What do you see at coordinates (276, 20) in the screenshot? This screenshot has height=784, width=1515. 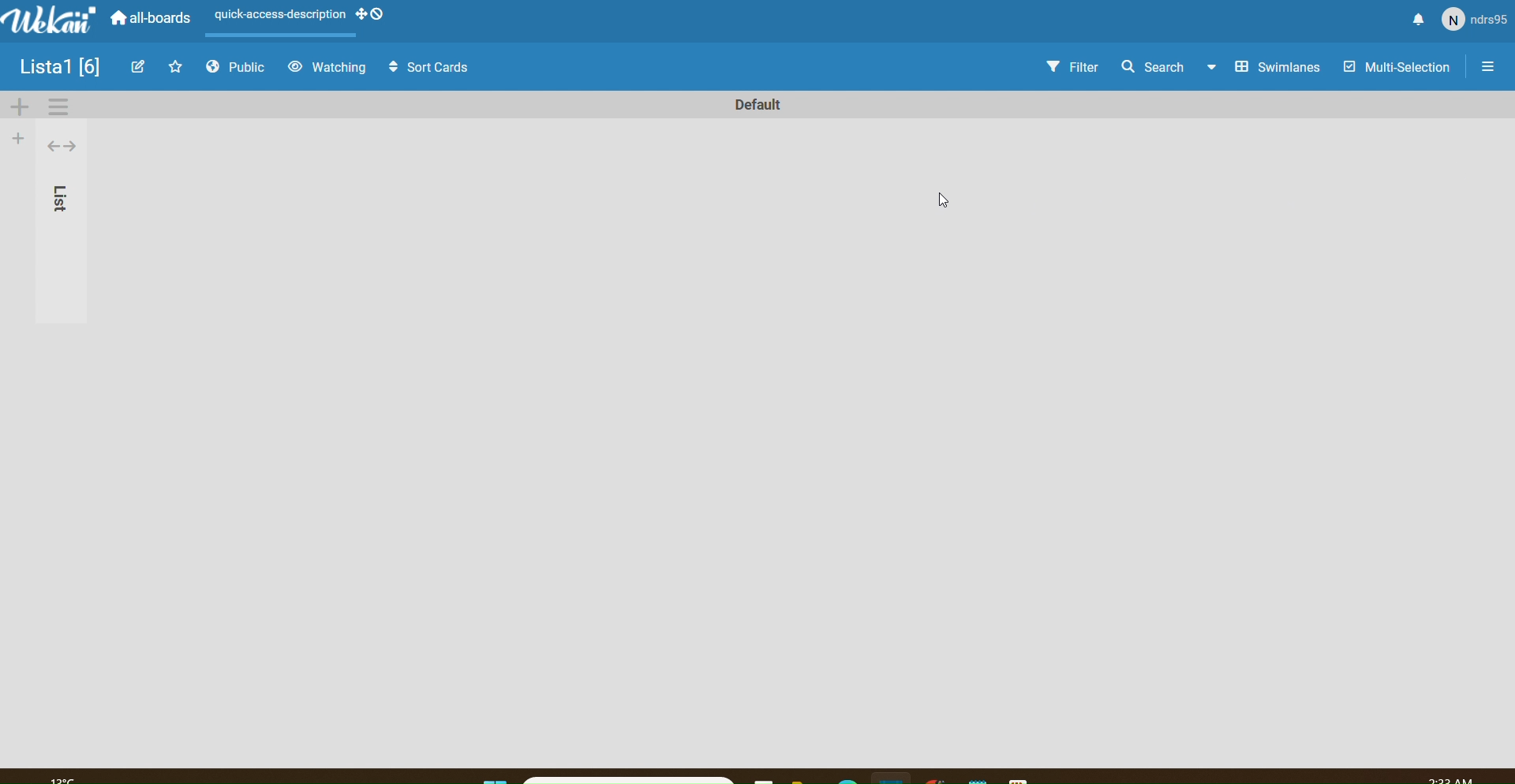 I see `Scene layout` at bounding box center [276, 20].